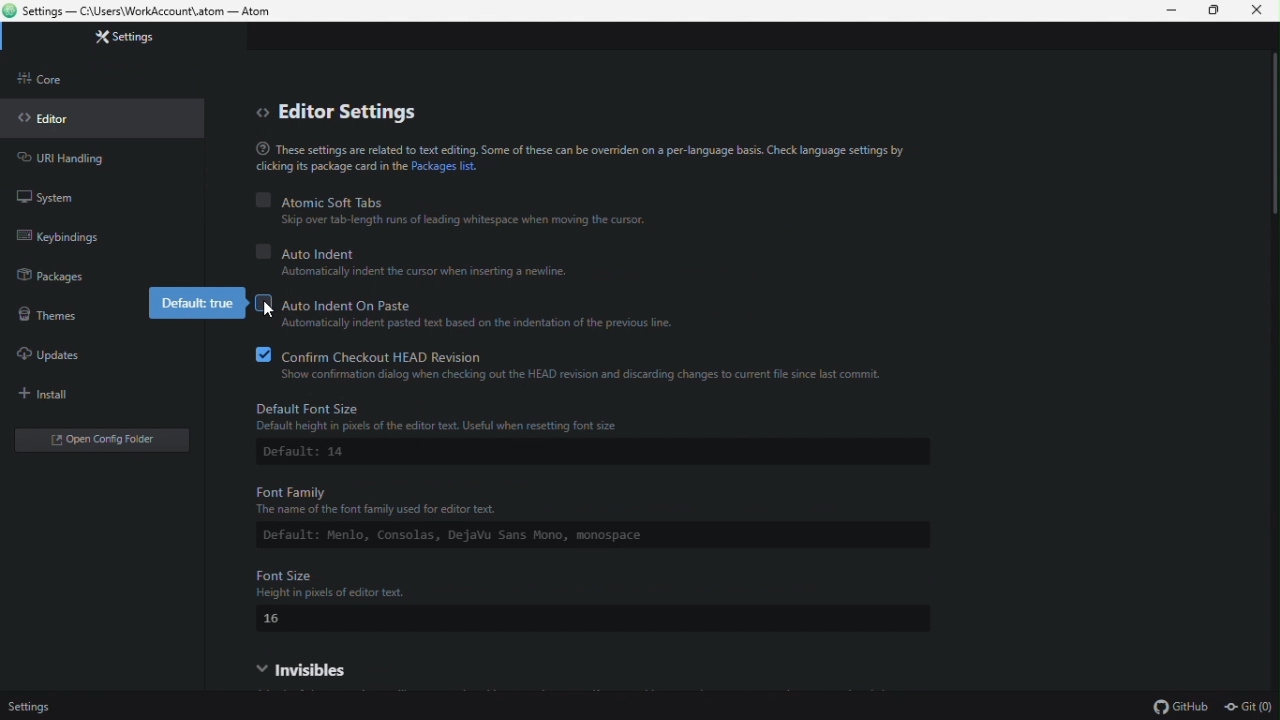 This screenshot has width=1280, height=720. Describe the element at coordinates (585, 376) in the screenshot. I see `Show confirmation dialog when checking out the HEAD revision and discarding changes to current file since last commit.` at that location.